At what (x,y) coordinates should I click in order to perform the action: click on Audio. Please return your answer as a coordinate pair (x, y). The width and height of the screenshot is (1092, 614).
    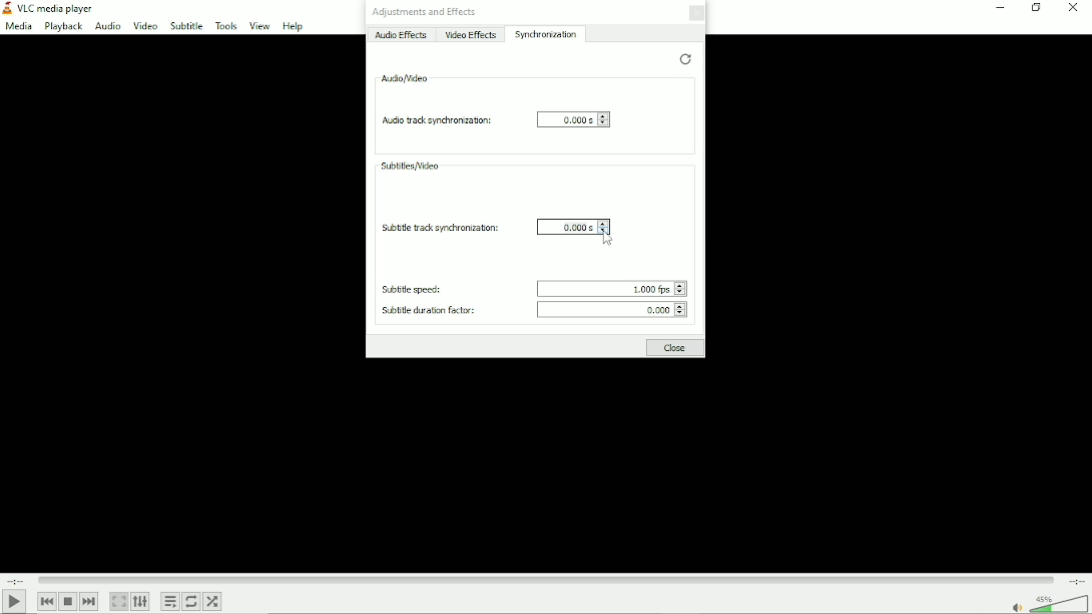
    Looking at the image, I should click on (105, 27).